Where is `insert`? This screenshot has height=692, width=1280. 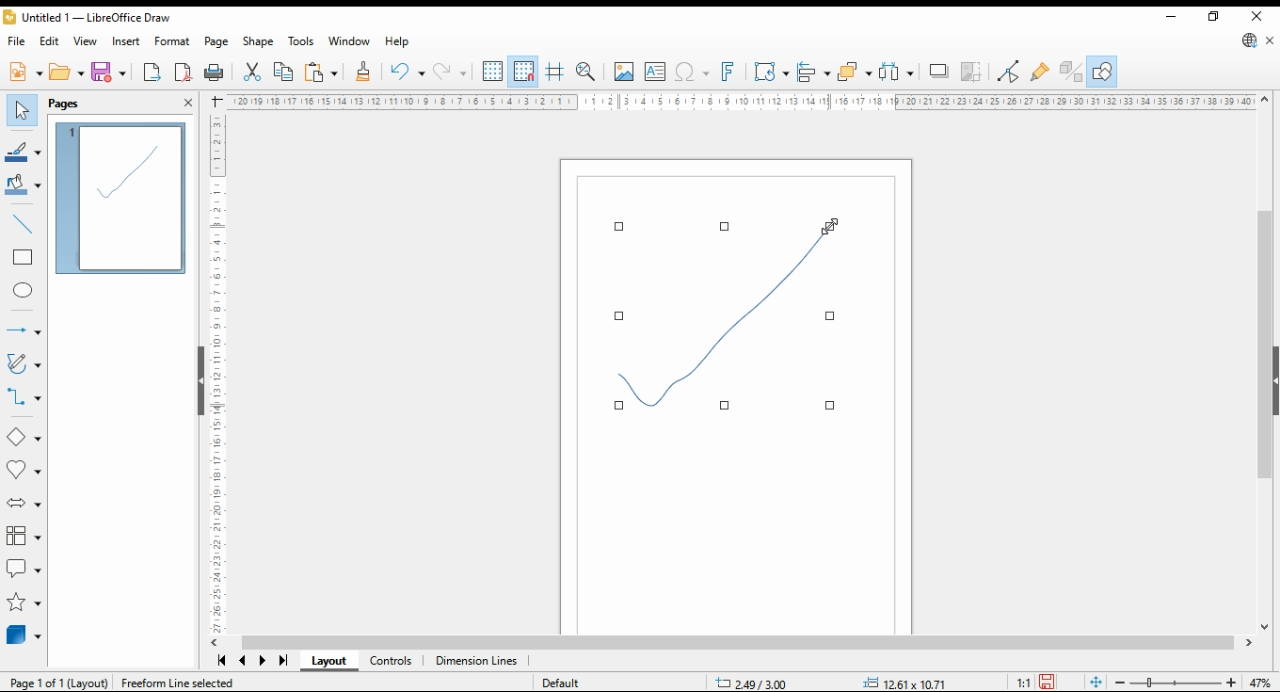 insert is located at coordinates (126, 40).